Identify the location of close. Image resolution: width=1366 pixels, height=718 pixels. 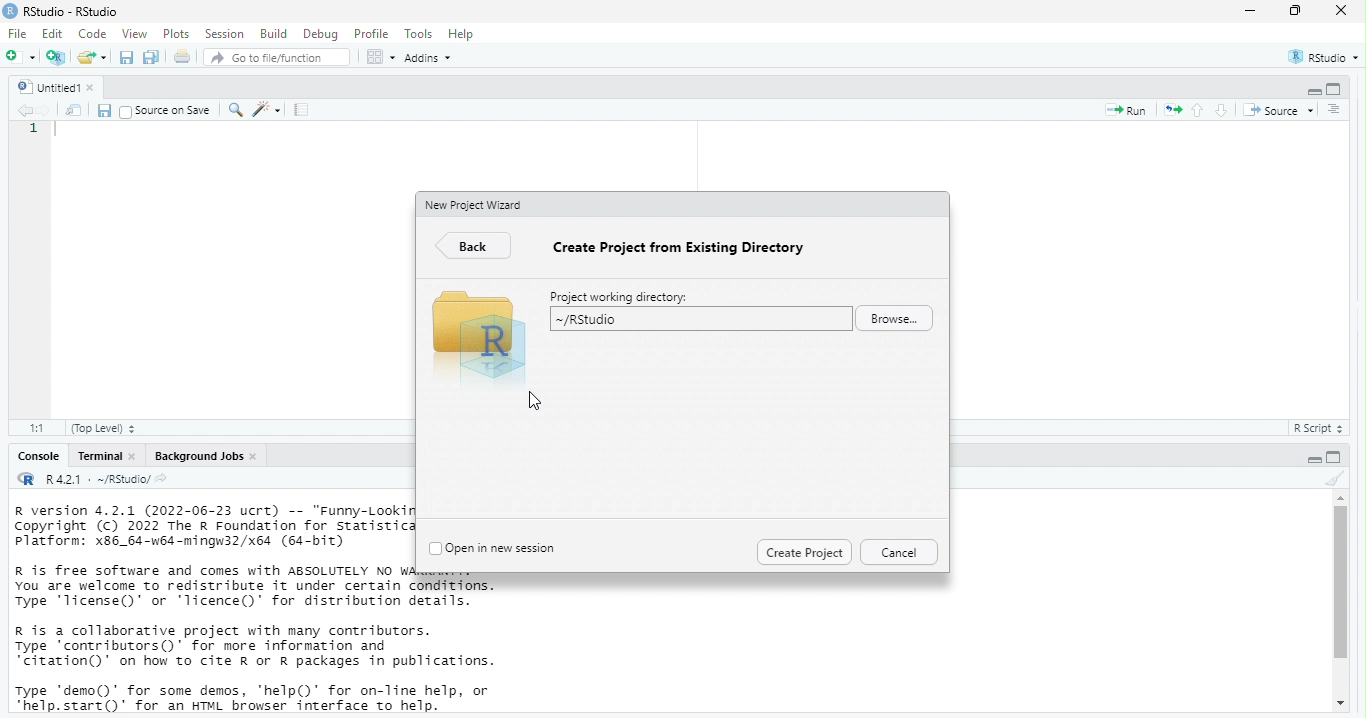
(1341, 11).